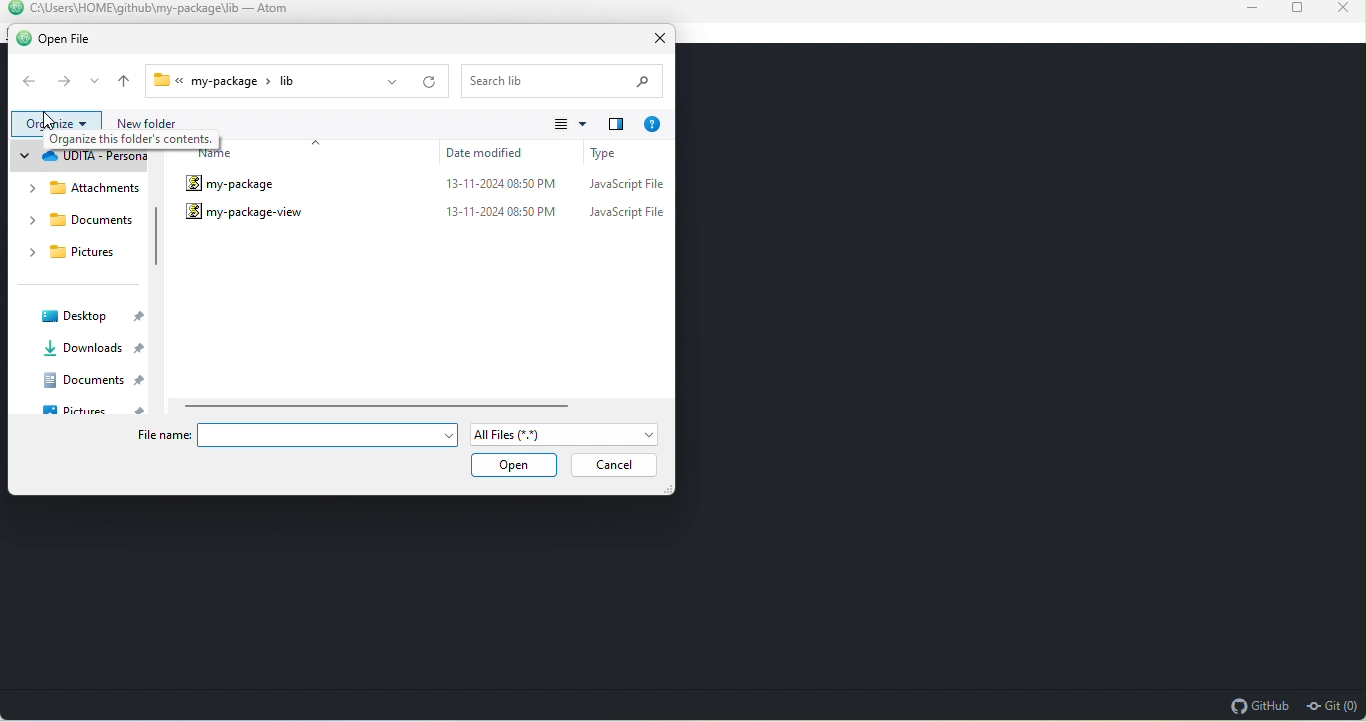  I want to click on name, so click(229, 156).